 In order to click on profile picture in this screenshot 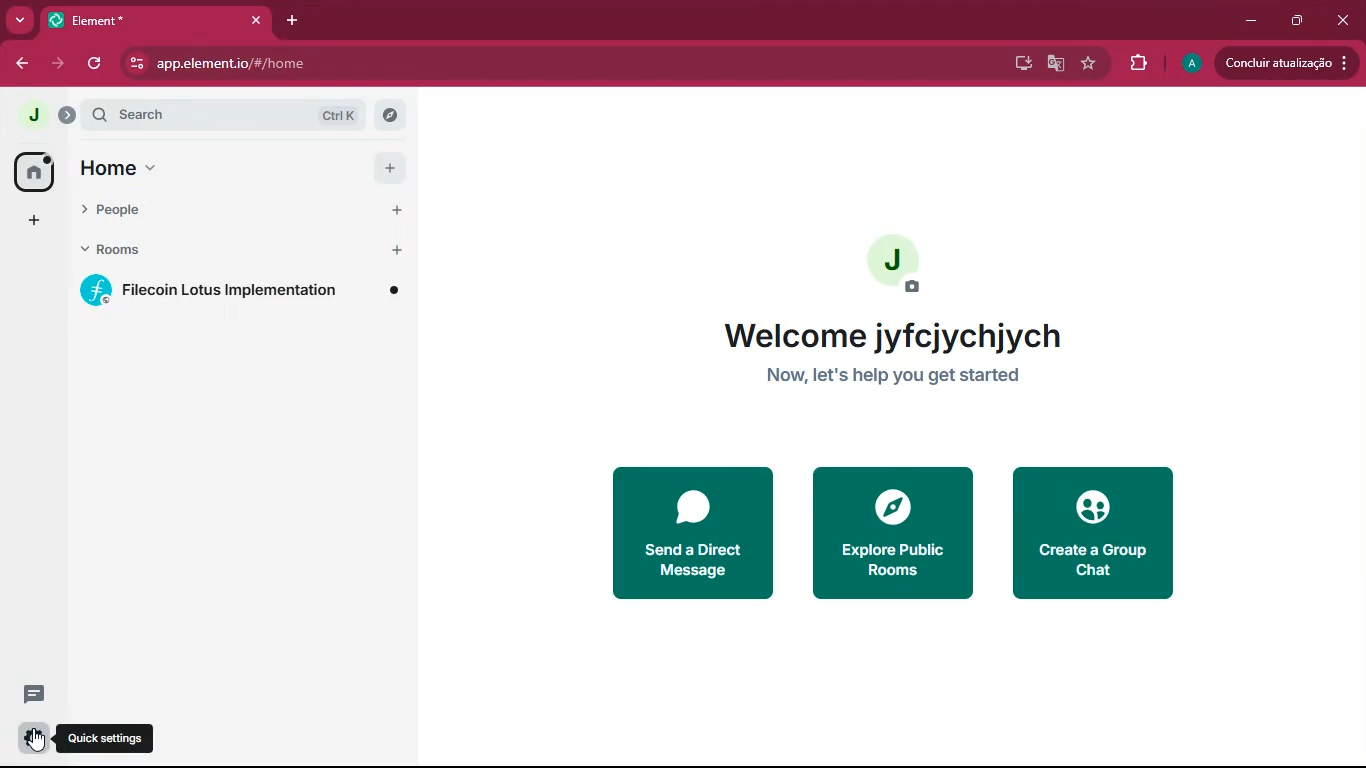, I will do `click(33, 116)`.